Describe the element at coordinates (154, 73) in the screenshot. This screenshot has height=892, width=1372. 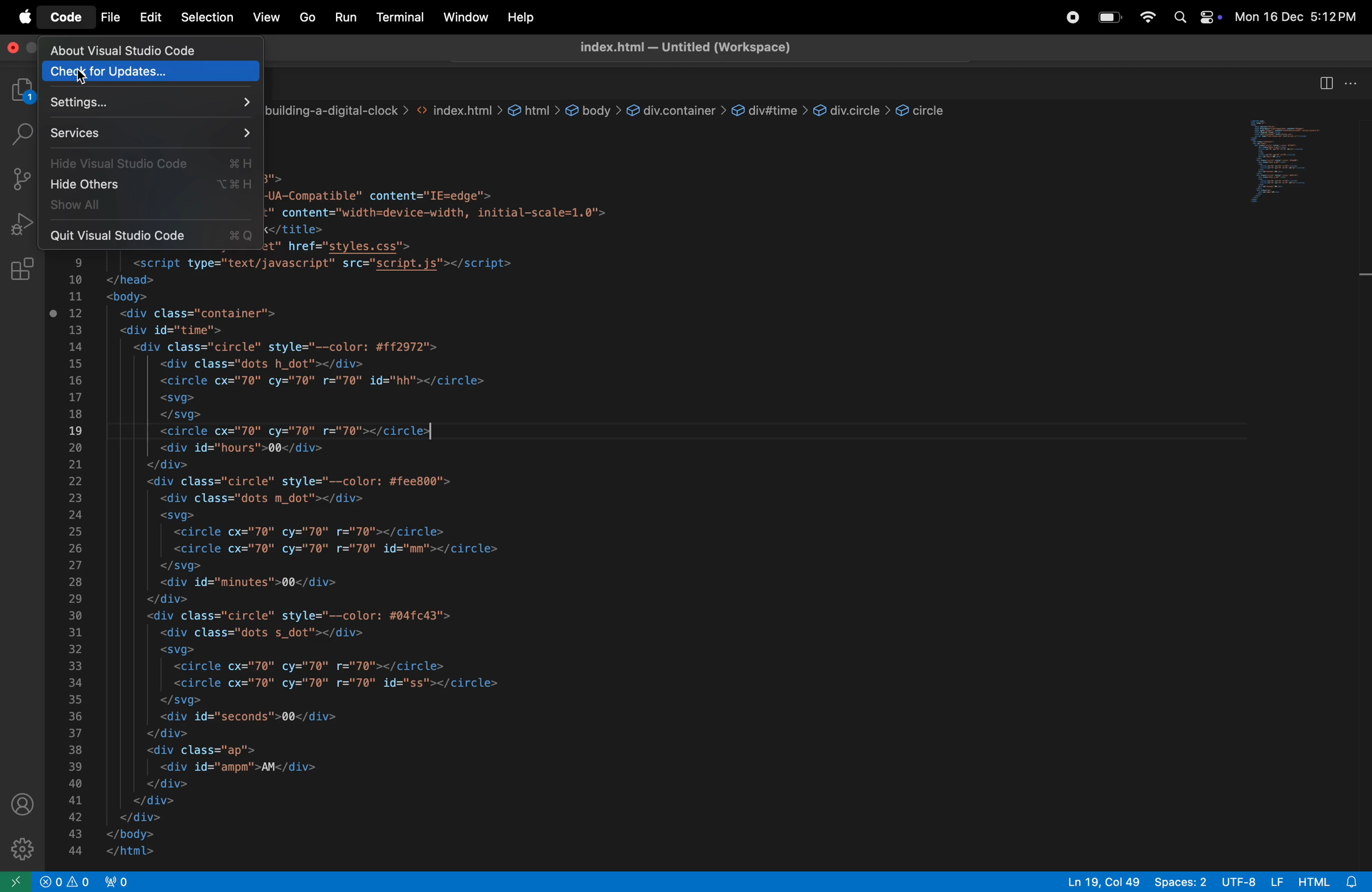
I see `check for updates` at that location.